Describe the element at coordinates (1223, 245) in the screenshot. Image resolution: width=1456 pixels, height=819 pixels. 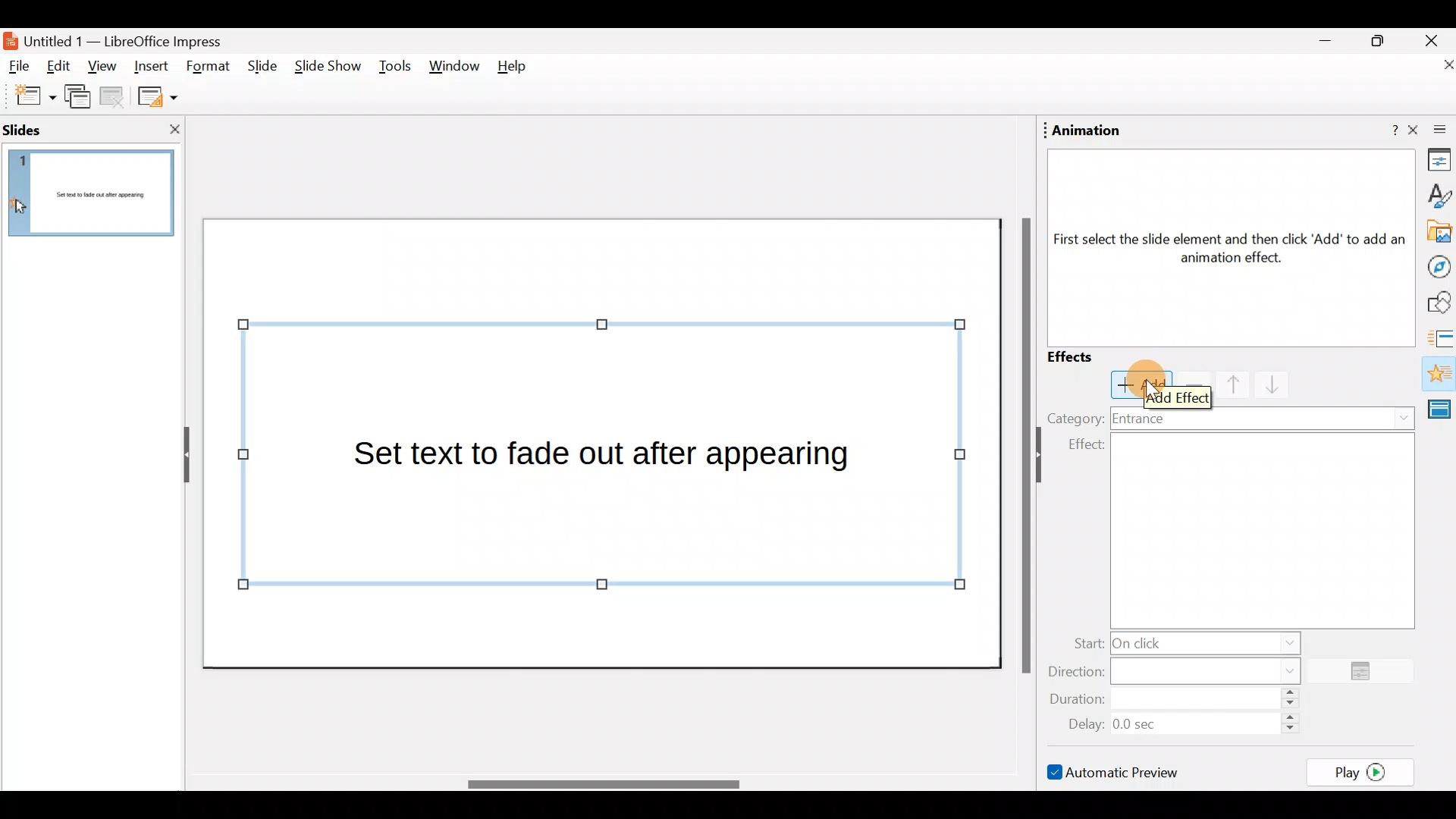
I see `Animation panel` at that location.